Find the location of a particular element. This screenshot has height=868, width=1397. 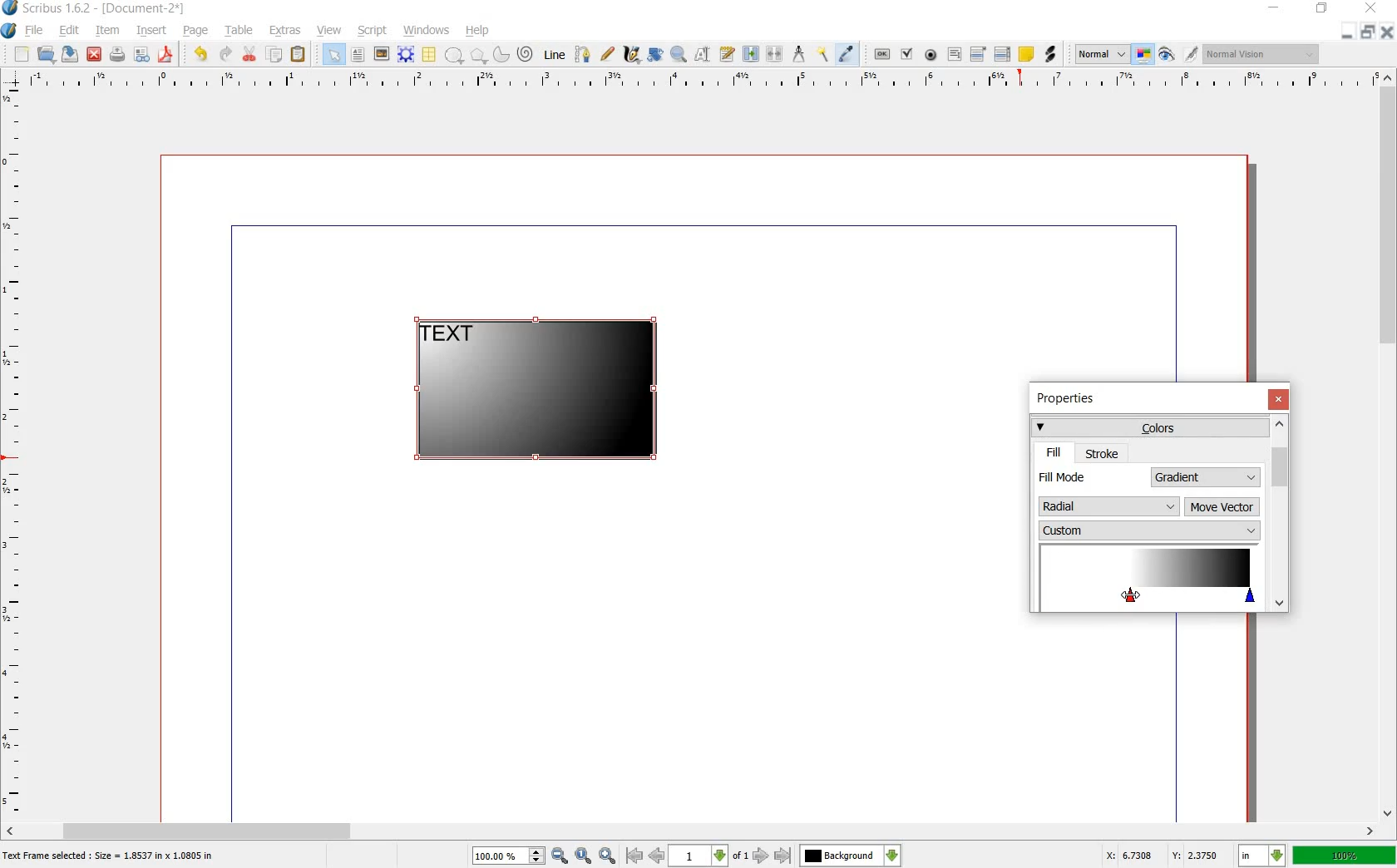

ruler is located at coordinates (696, 81).